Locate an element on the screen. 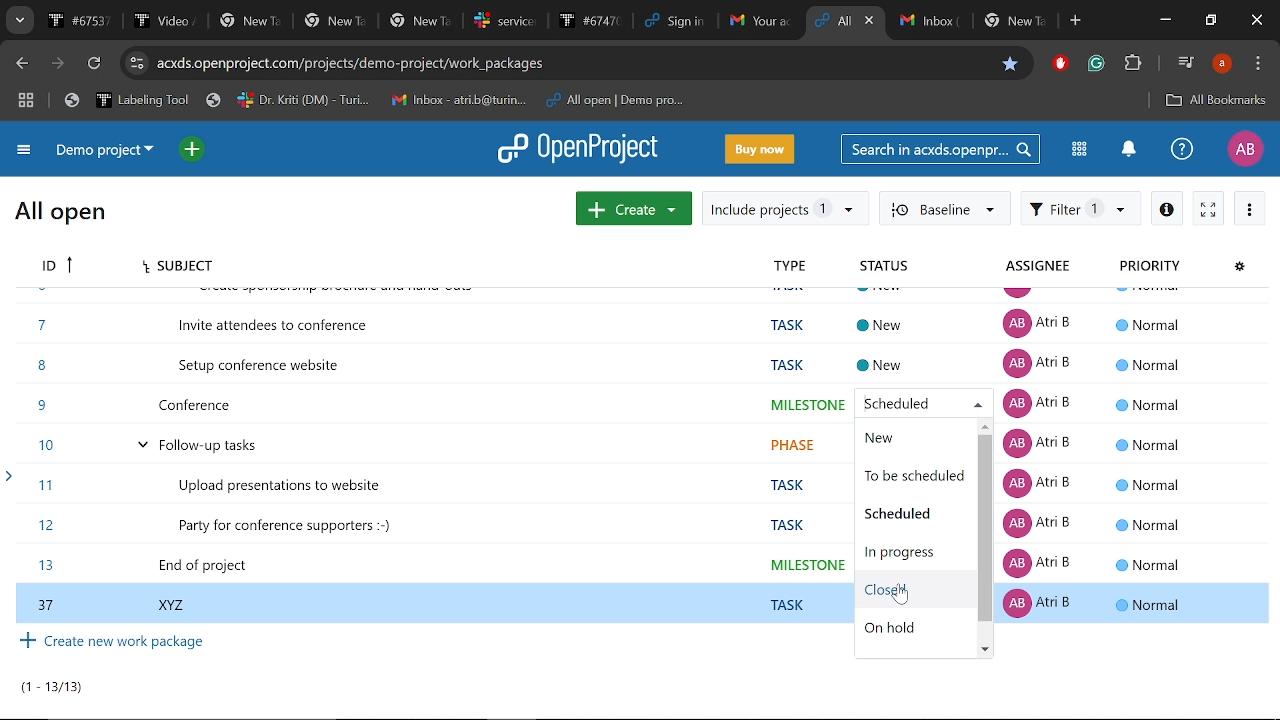 The height and width of the screenshot is (720, 1280). Search in acxds.openproject is located at coordinates (942, 148).